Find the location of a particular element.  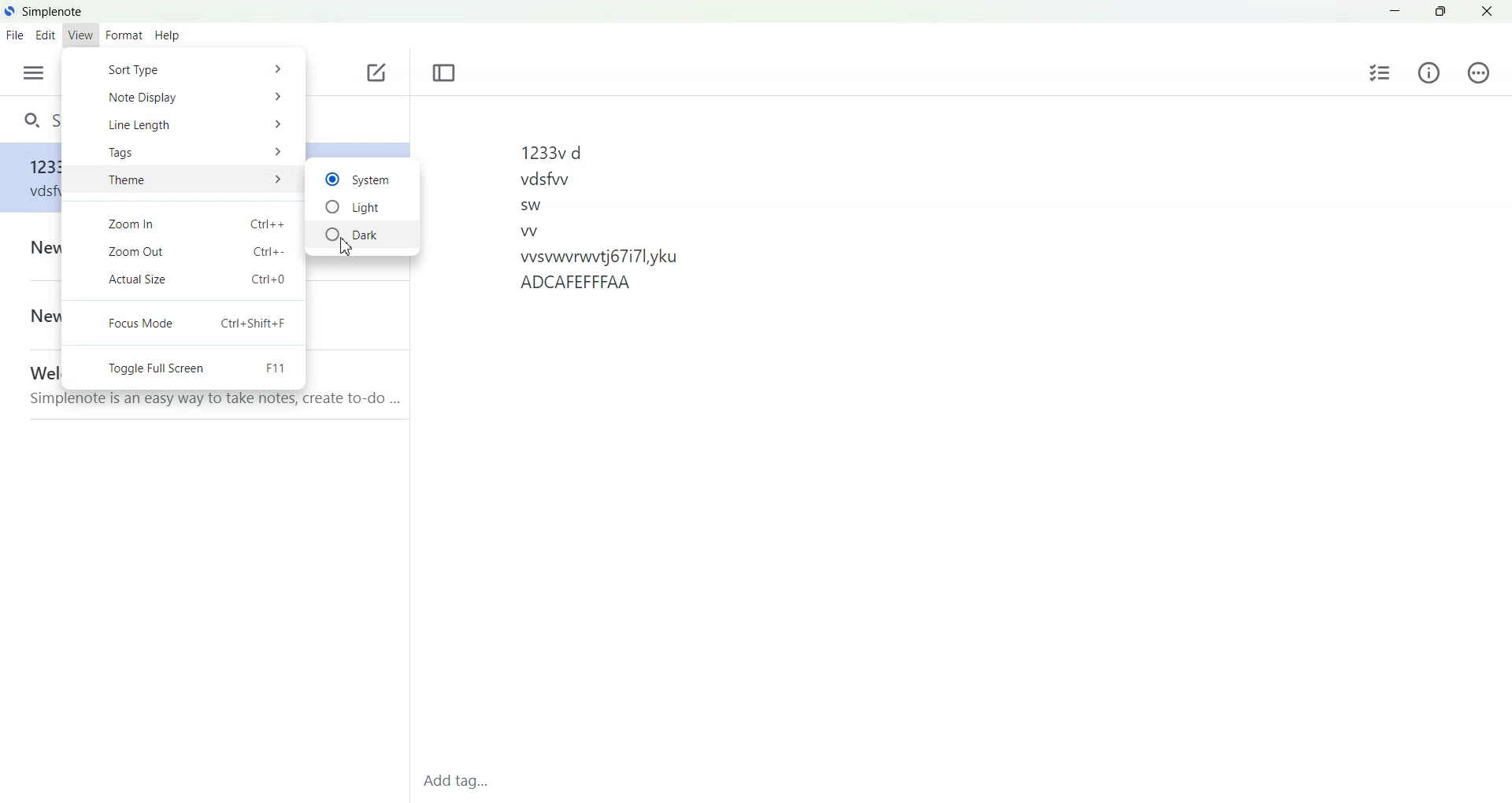

Note File is located at coordinates (34, 248).